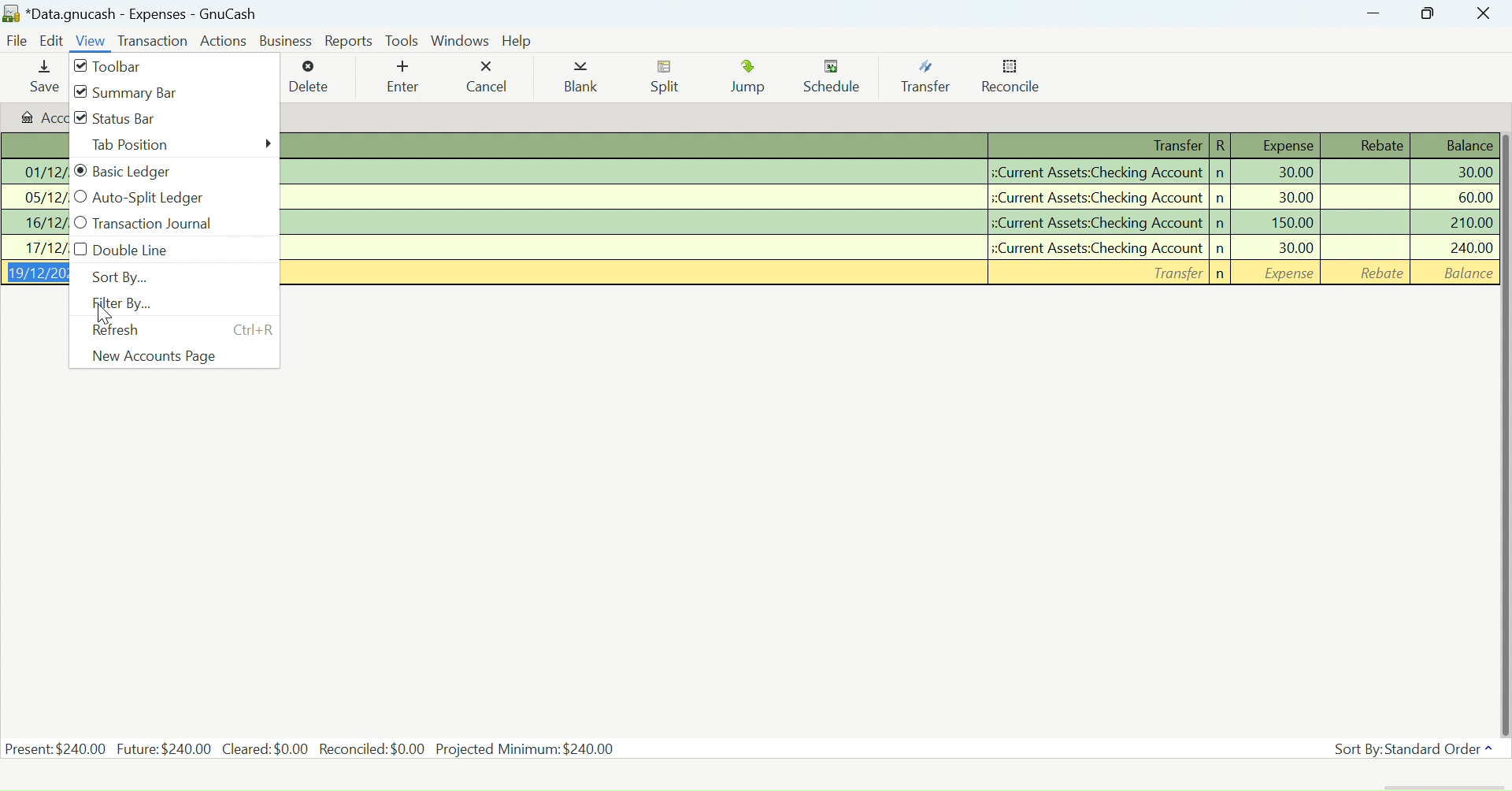  Describe the element at coordinates (402, 39) in the screenshot. I see `Tools` at that location.